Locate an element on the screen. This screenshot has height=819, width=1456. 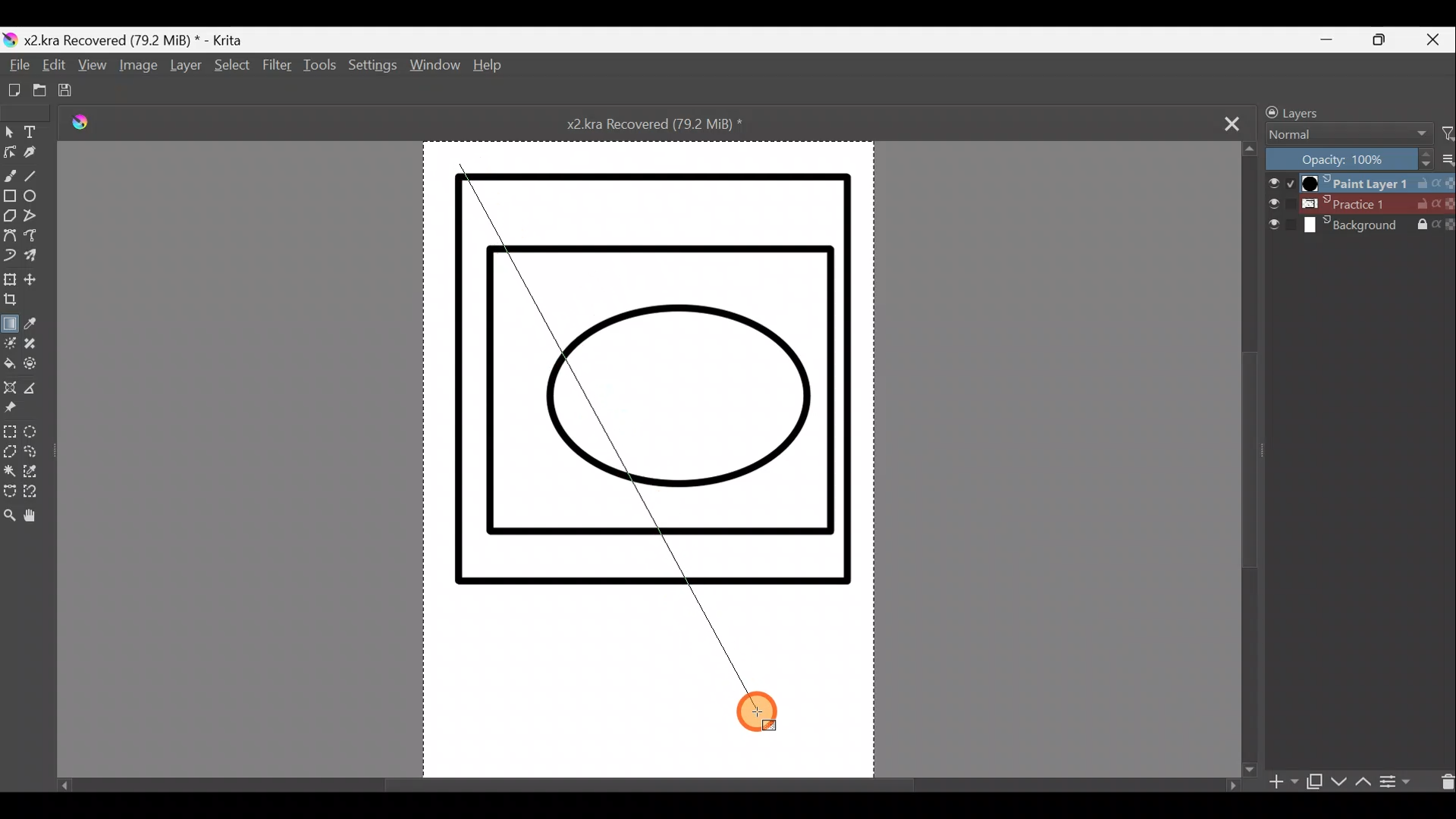
Scroll bar is located at coordinates (644, 780).